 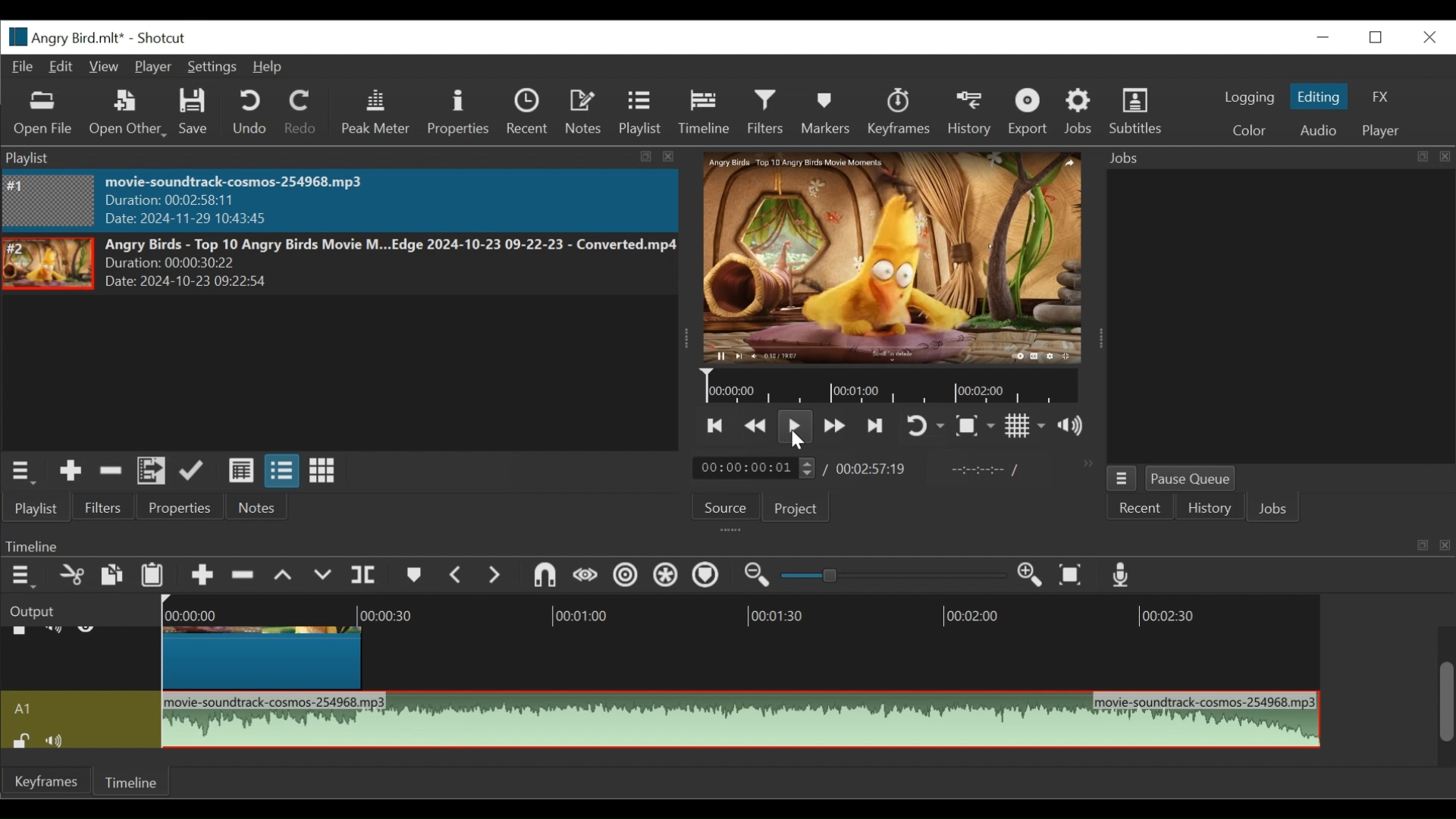 I want to click on Previous marker, so click(x=456, y=574).